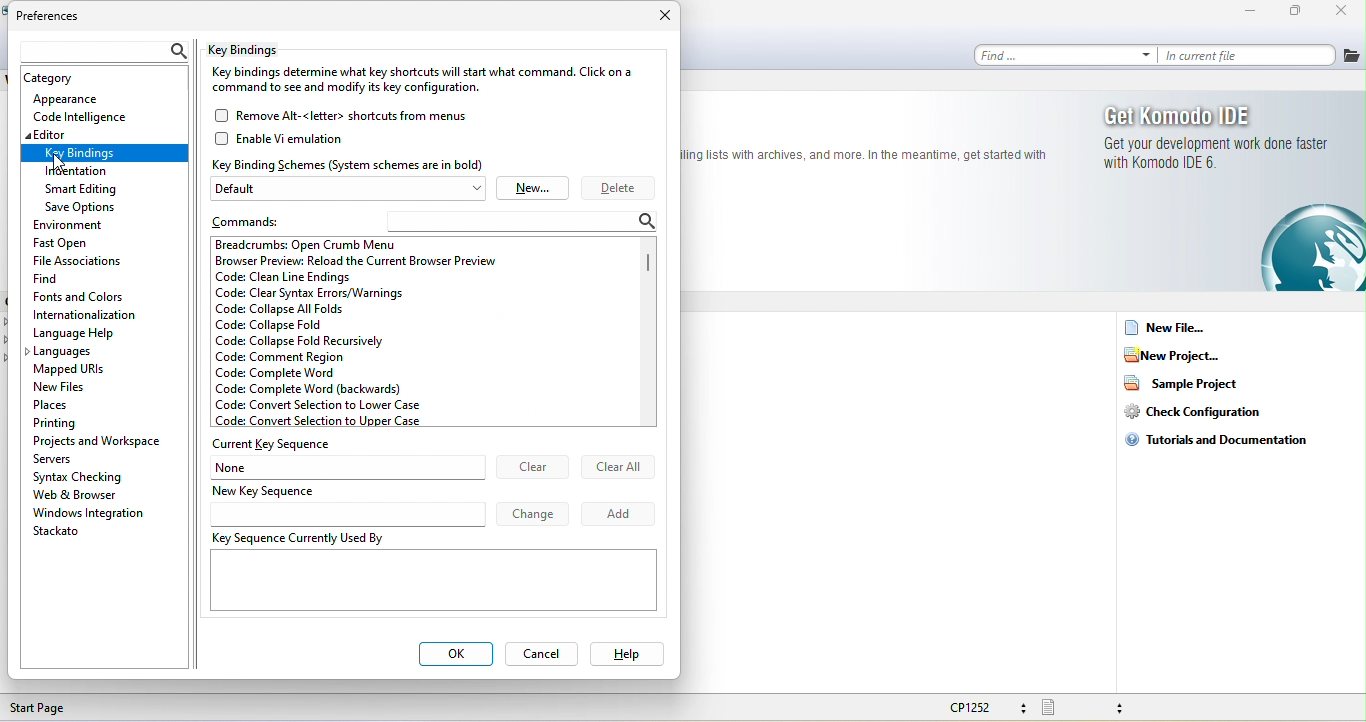 The image size is (1366, 722). Describe the element at coordinates (277, 445) in the screenshot. I see `current key sequence` at that location.